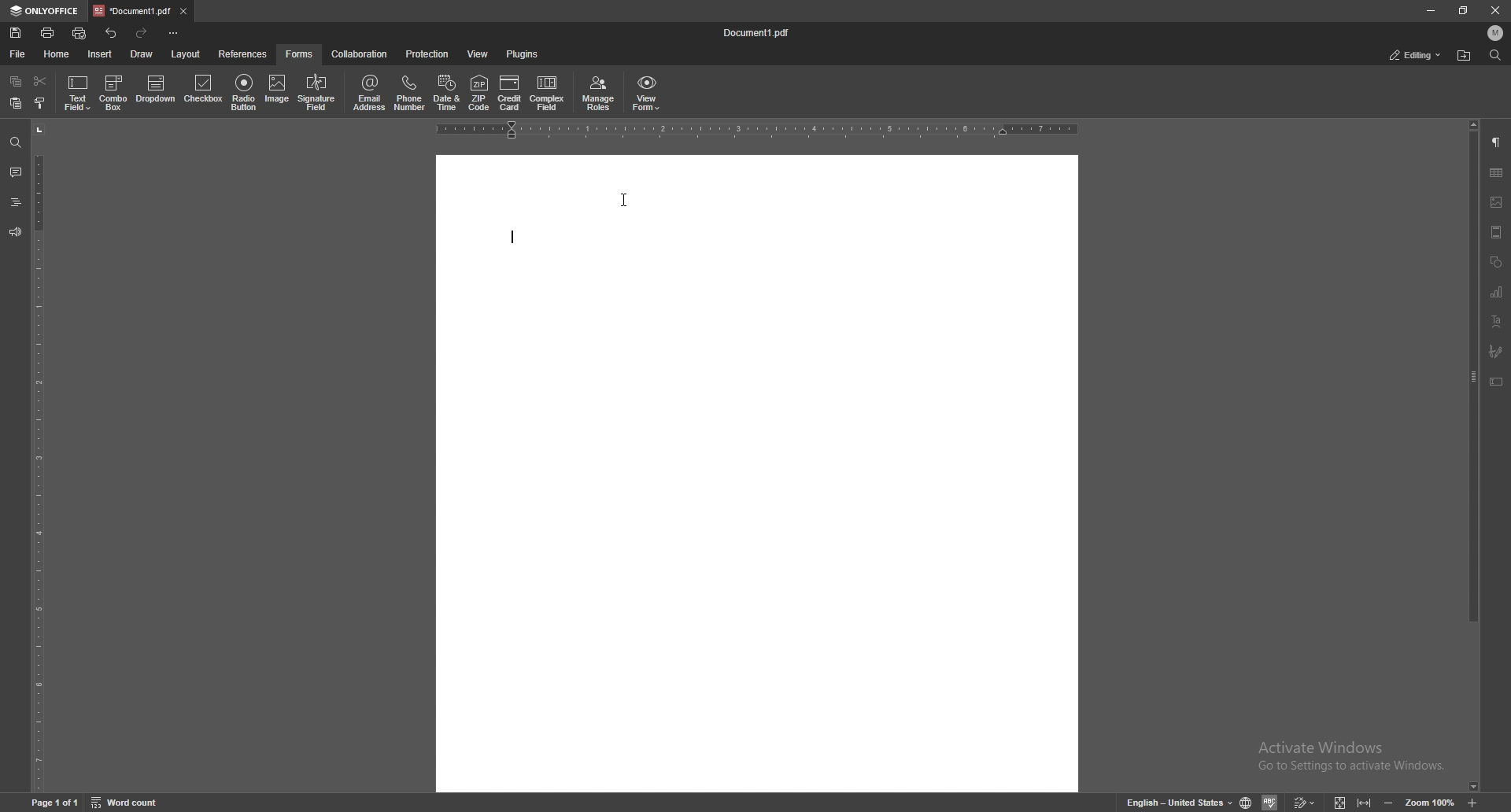 This screenshot has height=812, width=1511. Describe the element at coordinates (16, 103) in the screenshot. I see `paste` at that location.